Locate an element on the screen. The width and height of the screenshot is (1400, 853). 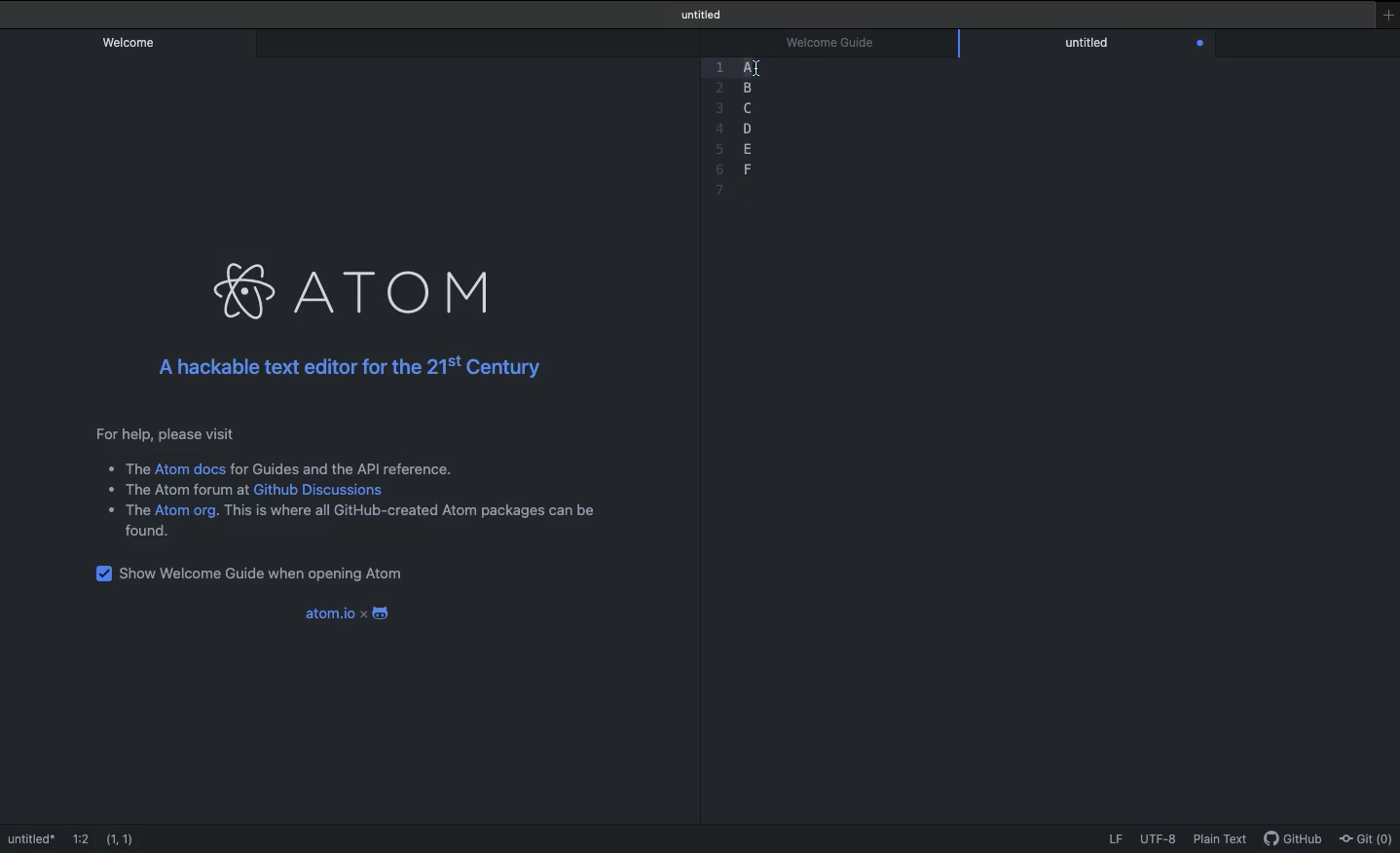
UTF-8 is located at coordinates (1160, 839).